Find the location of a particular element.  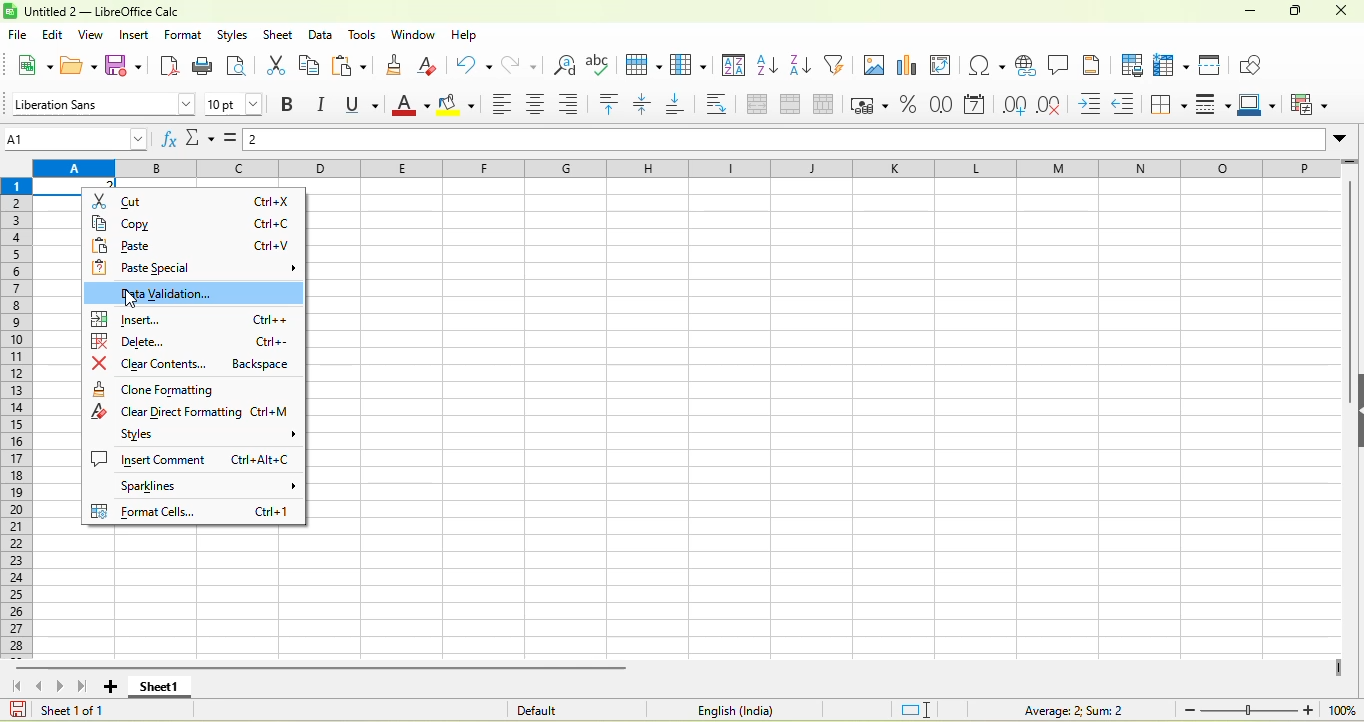

default is located at coordinates (563, 711).